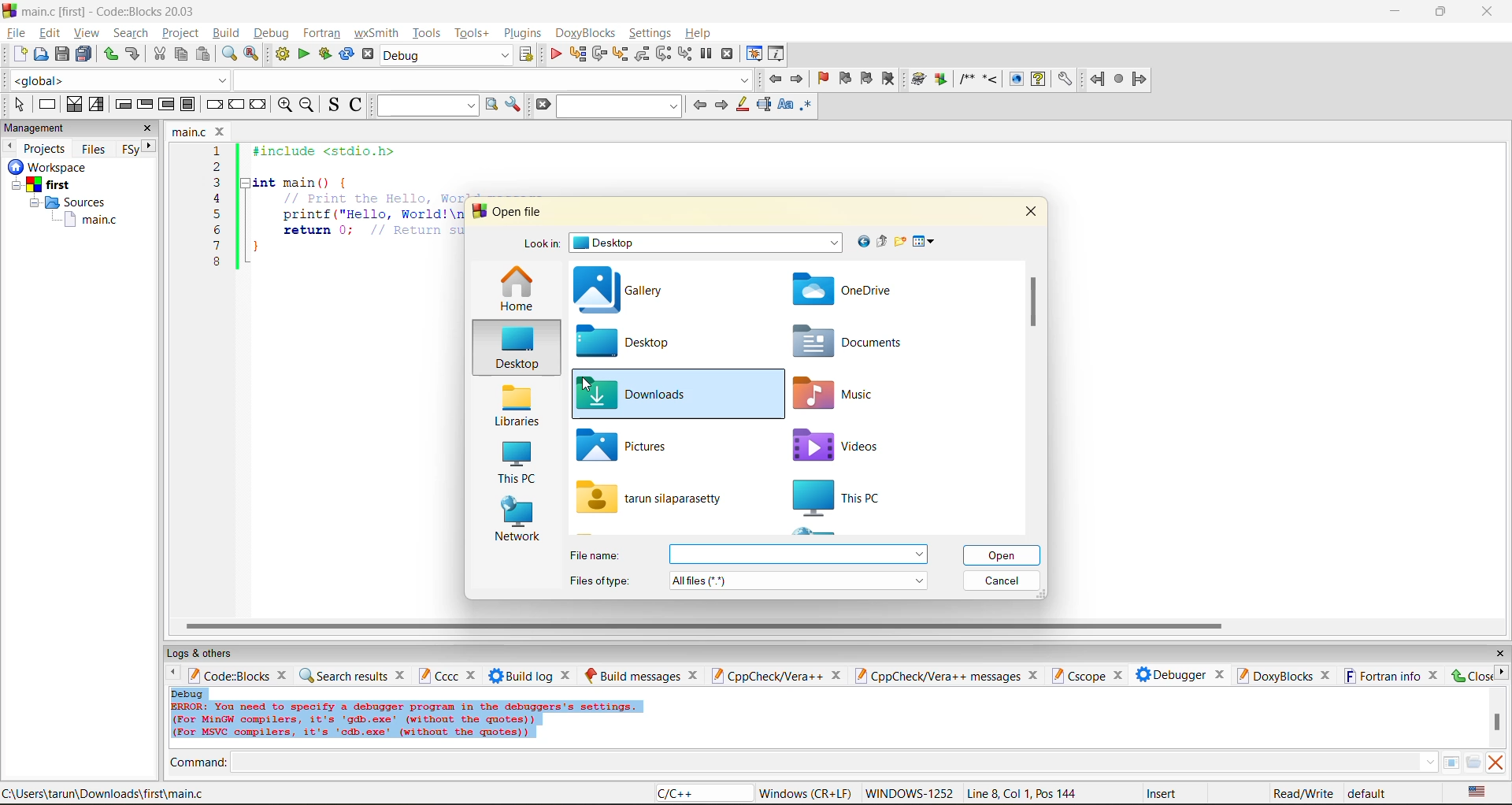 The width and height of the screenshot is (1512, 805). I want to click on files, so click(94, 148).